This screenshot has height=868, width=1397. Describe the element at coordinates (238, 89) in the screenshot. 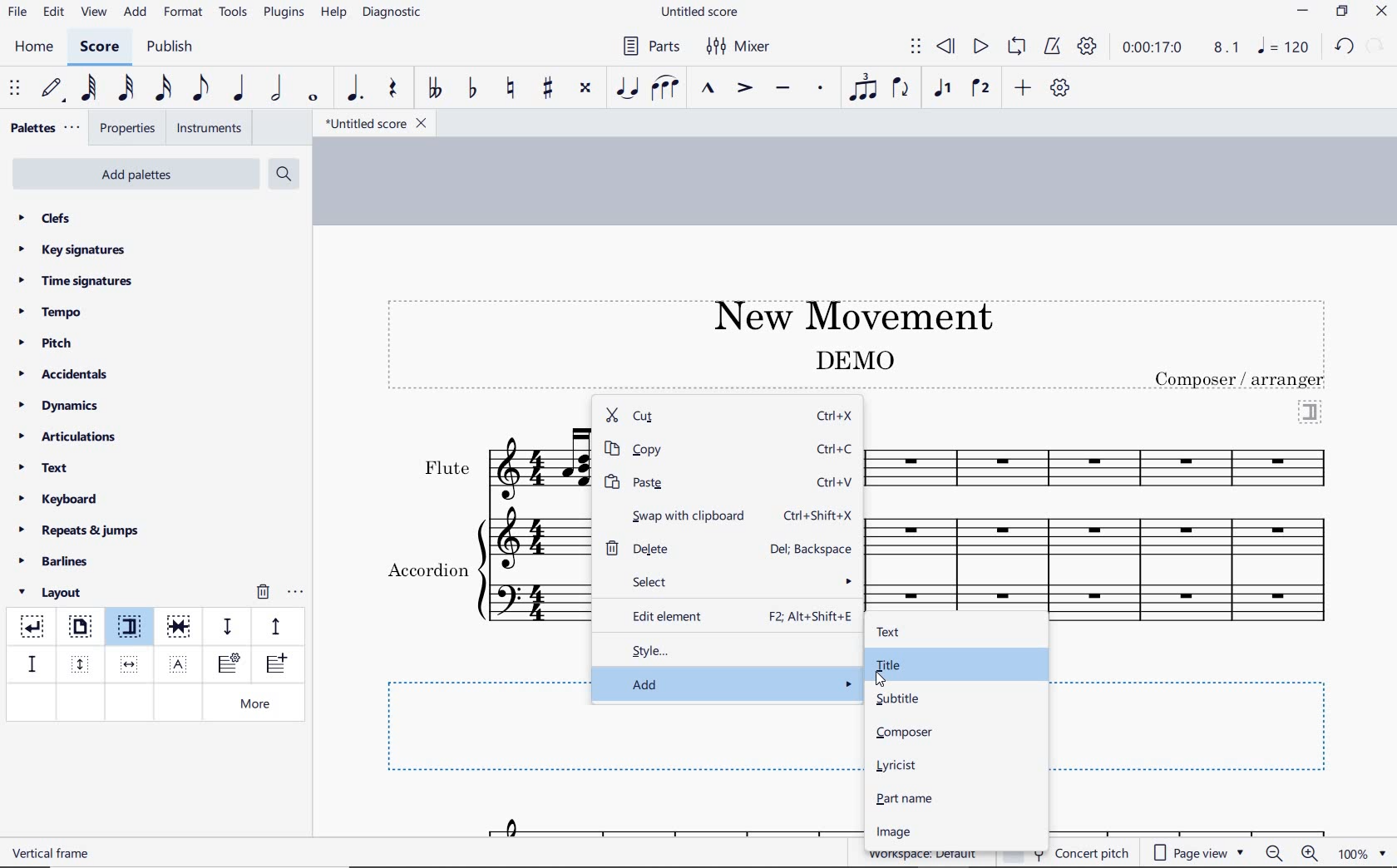

I see `quarter note` at that location.